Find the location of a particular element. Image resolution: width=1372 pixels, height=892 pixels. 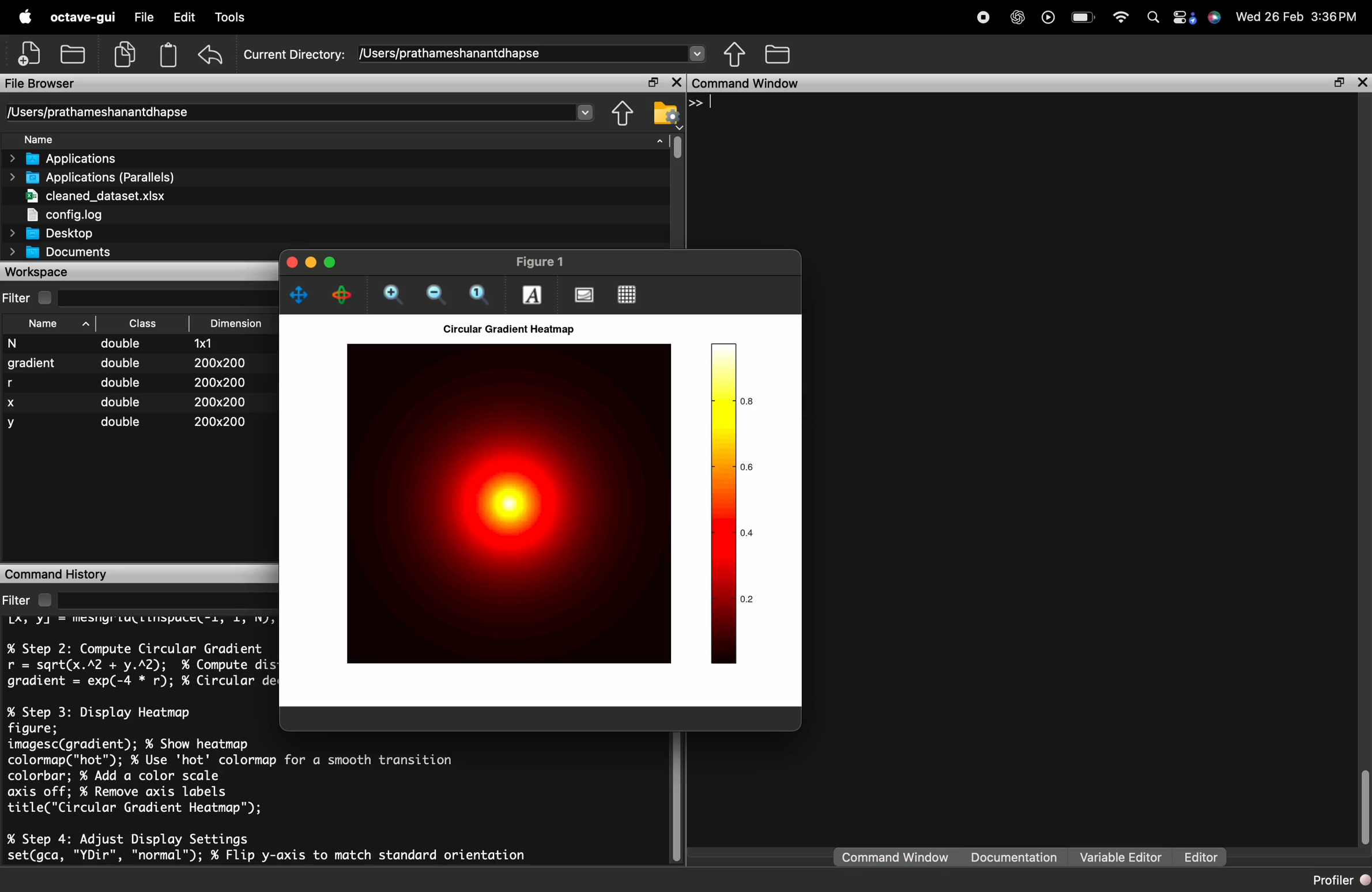

200x200 is located at coordinates (218, 402).